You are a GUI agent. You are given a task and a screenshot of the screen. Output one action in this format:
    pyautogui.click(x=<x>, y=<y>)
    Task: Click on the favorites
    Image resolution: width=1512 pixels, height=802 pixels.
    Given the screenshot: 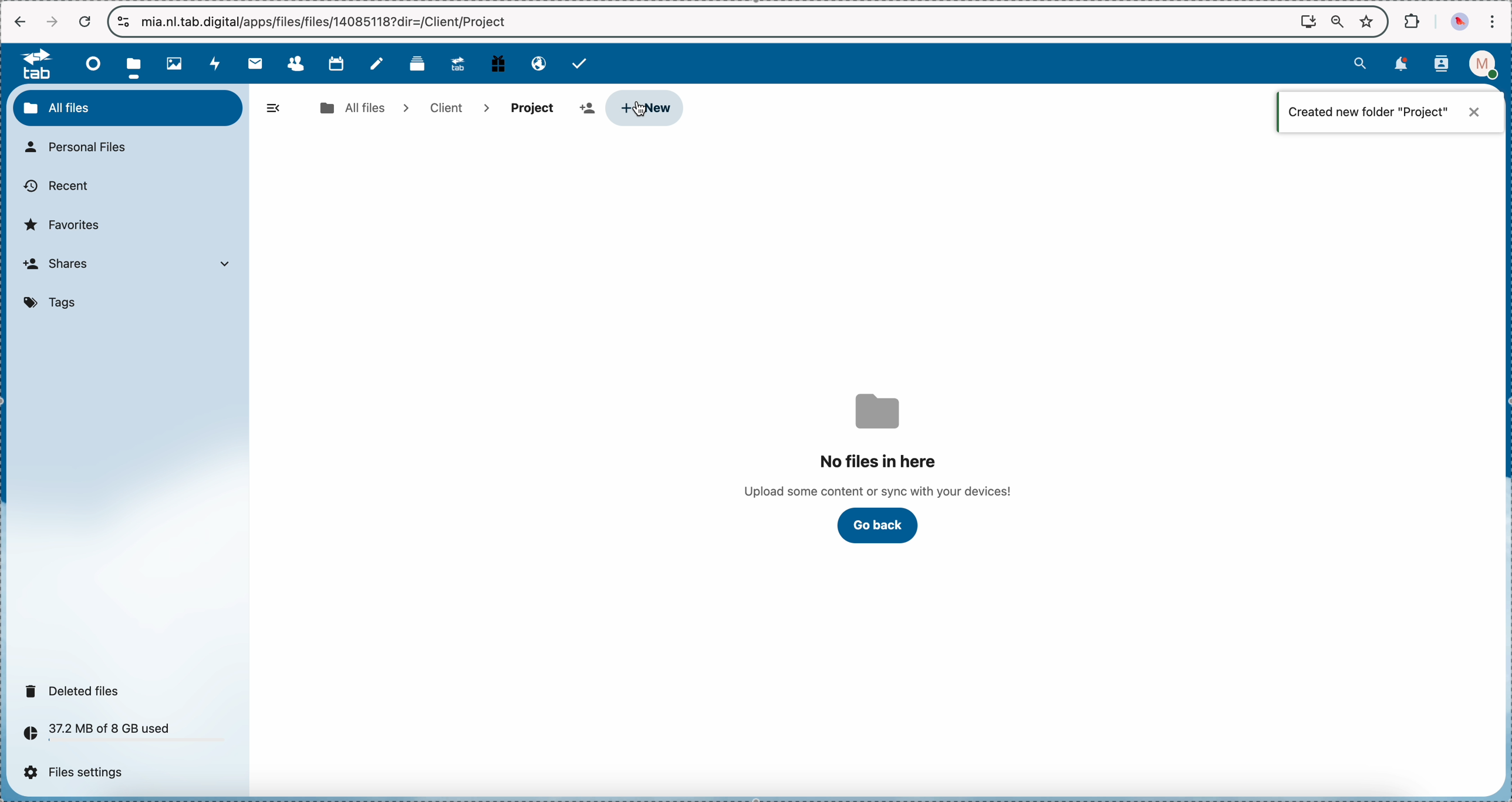 What is the action you would take?
    pyautogui.click(x=1369, y=21)
    